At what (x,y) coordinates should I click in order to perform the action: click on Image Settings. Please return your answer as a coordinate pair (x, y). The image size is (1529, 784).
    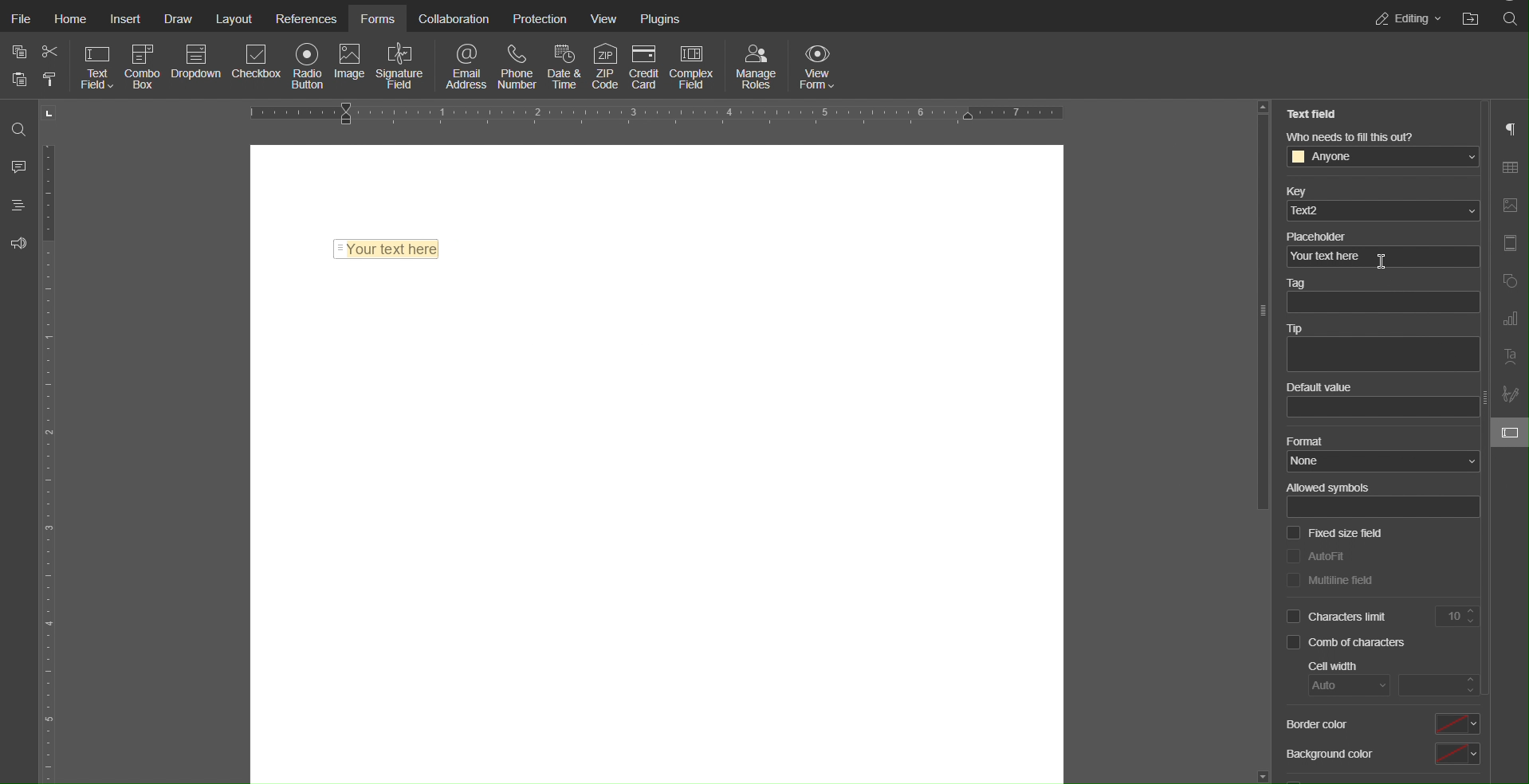
    Looking at the image, I should click on (1508, 206).